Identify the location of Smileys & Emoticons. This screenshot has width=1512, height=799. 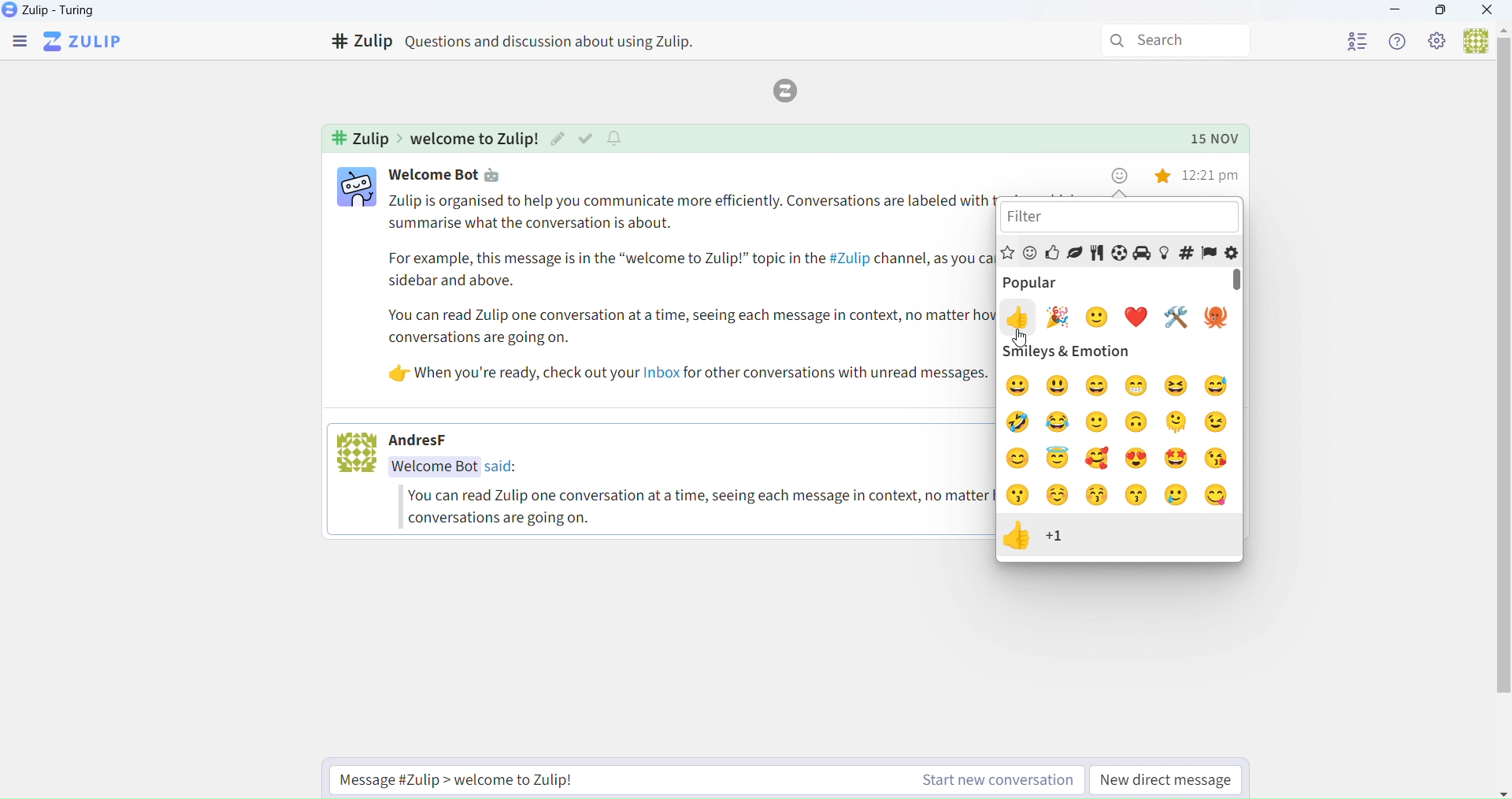
(1120, 353).